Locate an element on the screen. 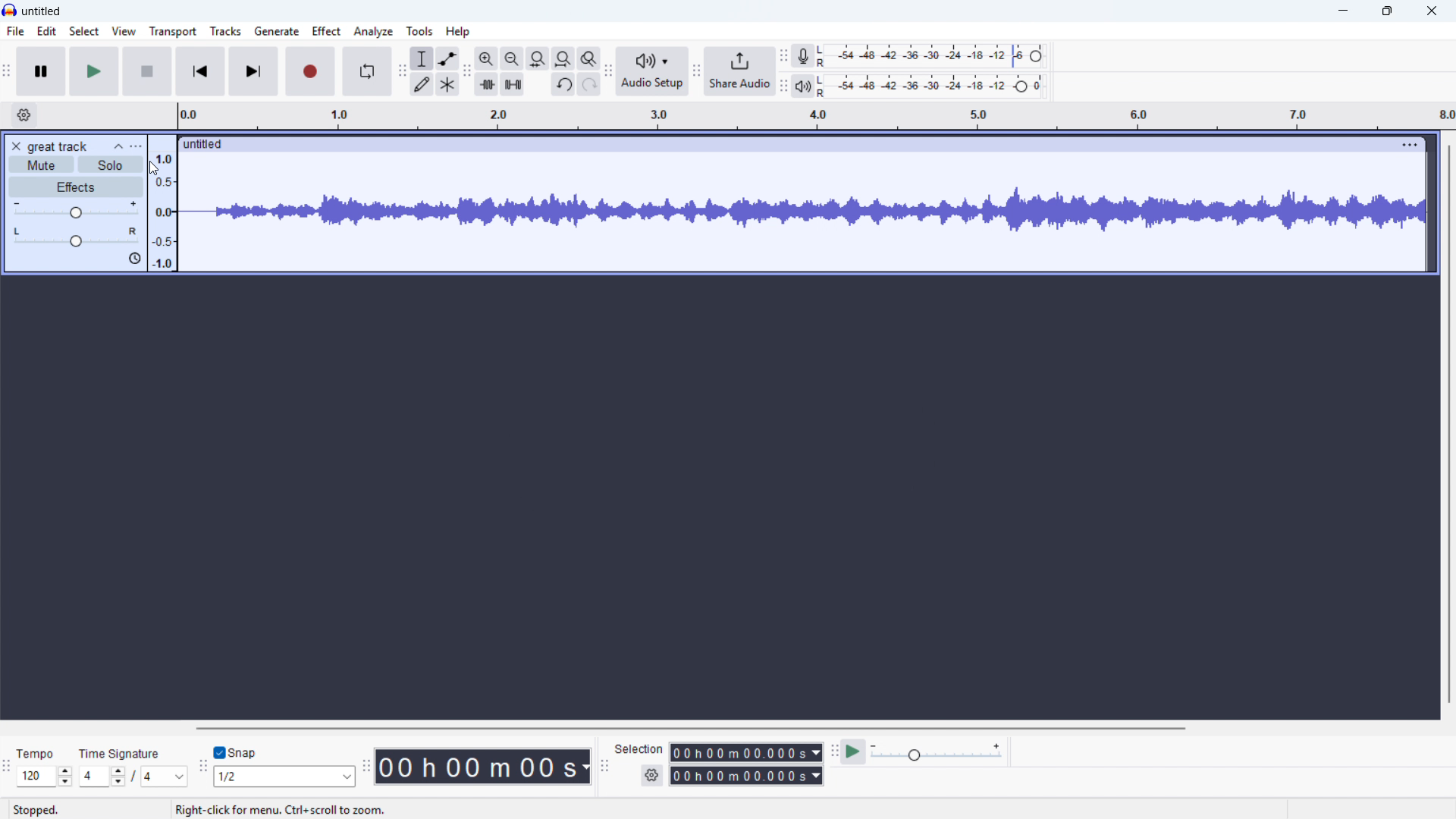 This screenshot has height=819, width=1456. Selection tool  is located at coordinates (422, 58).